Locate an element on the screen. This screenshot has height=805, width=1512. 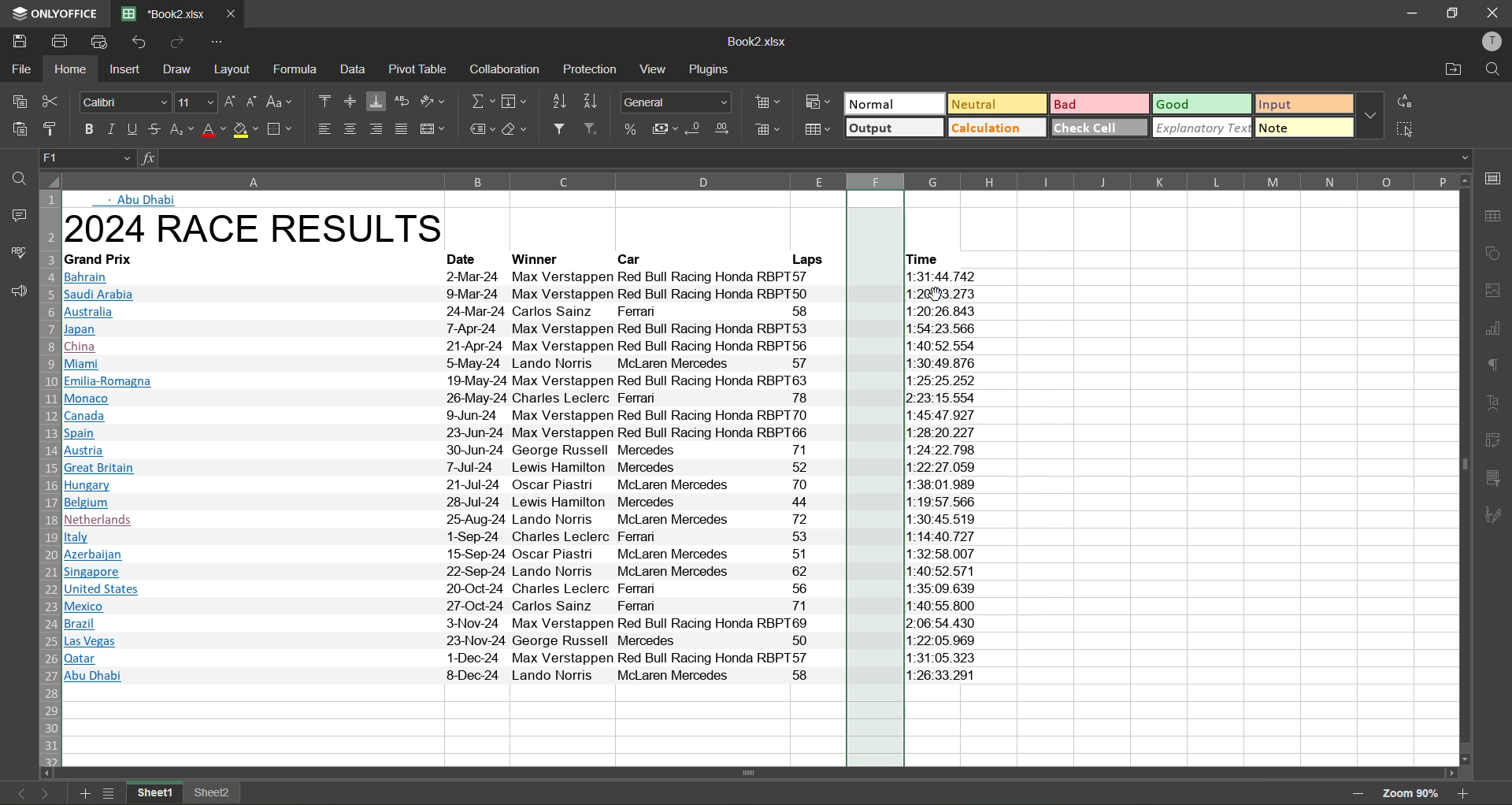
Las Vegas 23-Nov-24 George Russell Mercedes S50 1:22:05.969 is located at coordinates (443, 642).